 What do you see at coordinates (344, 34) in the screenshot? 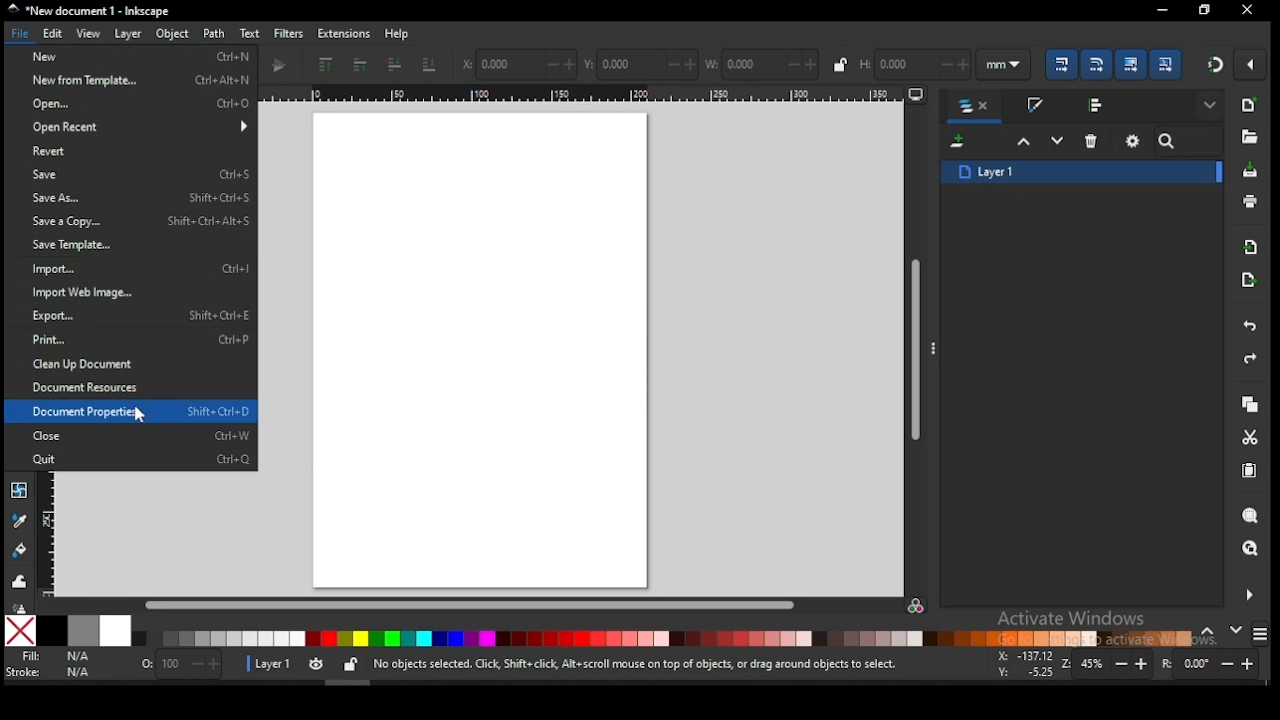
I see `extensions` at bounding box center [344, 34].